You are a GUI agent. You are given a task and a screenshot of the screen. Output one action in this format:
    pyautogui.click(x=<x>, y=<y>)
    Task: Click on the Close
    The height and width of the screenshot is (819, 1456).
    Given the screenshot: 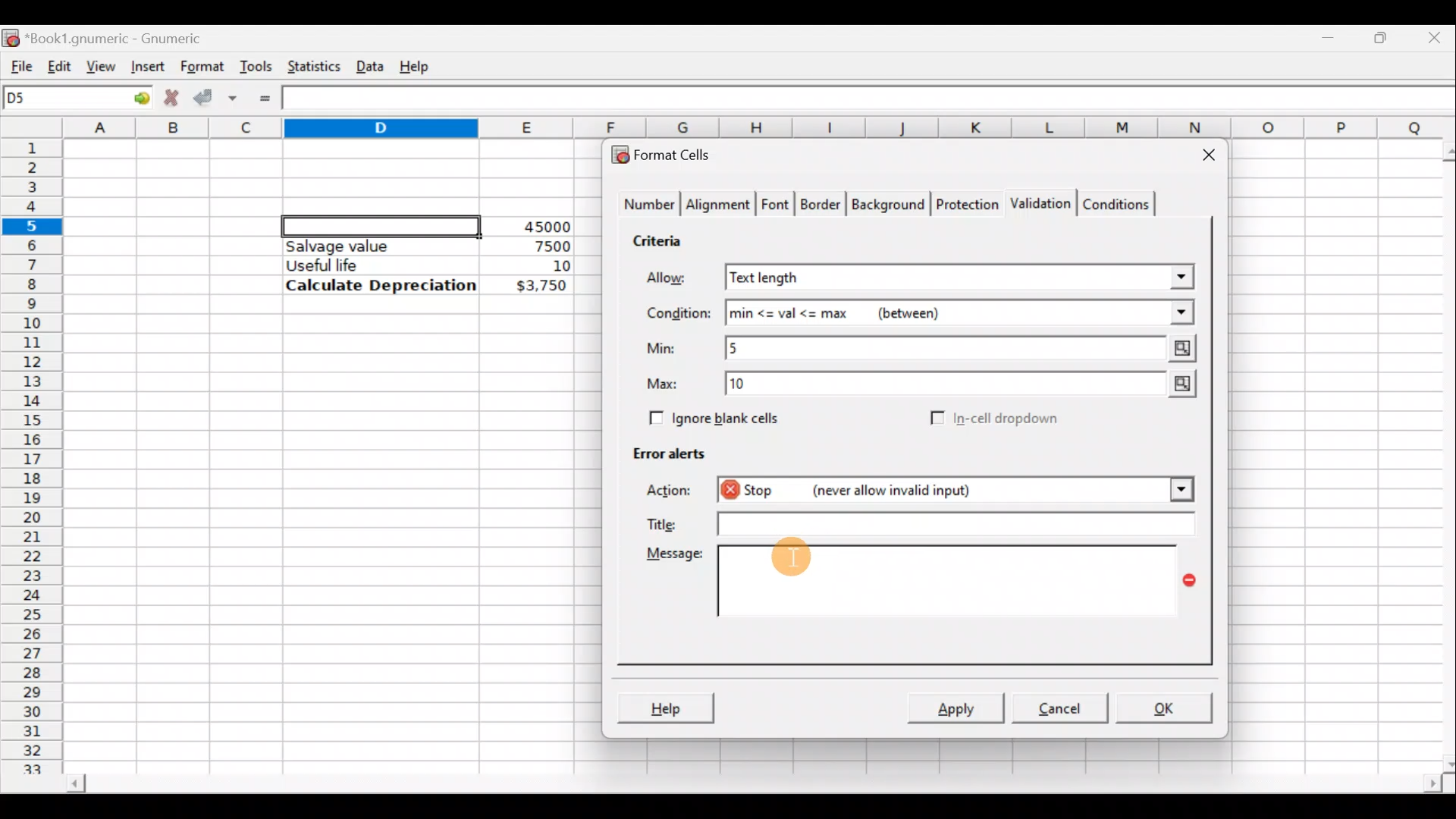 What is the action you would take?
    pyautogui.click(x=1437, y=36)
    